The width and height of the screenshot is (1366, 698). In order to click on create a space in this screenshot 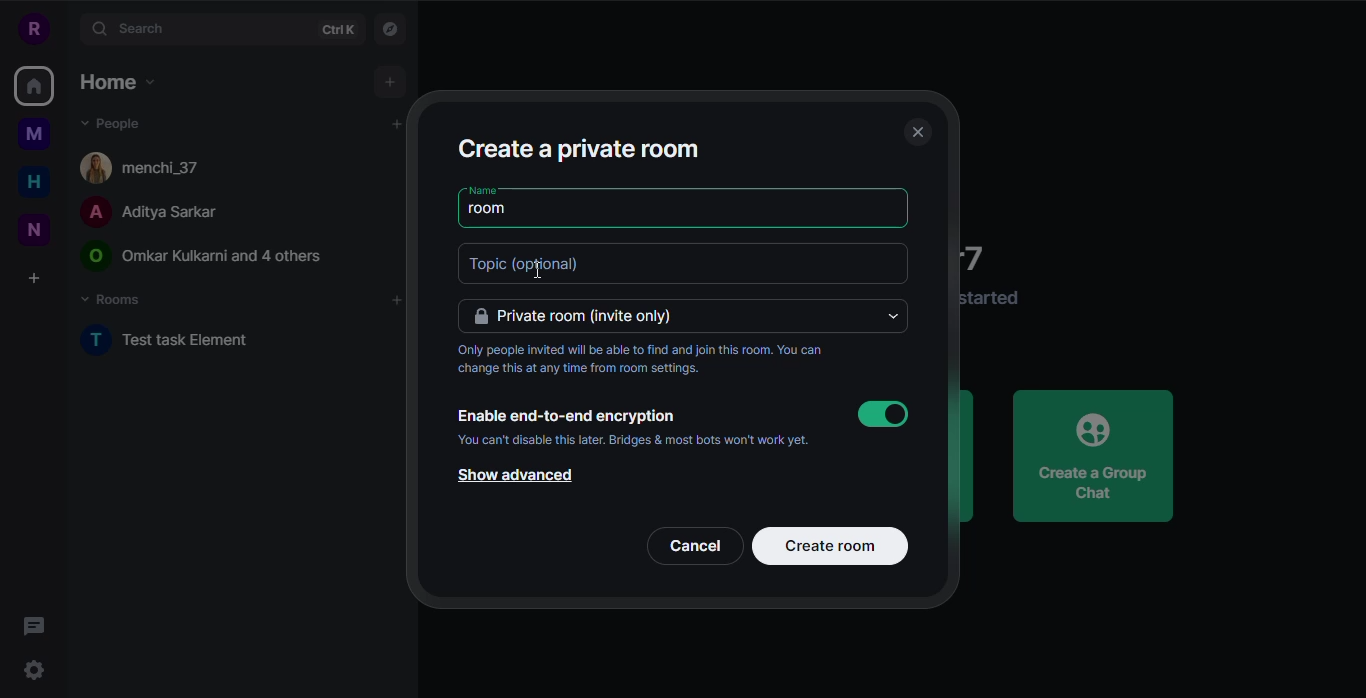, I will do `click(34, 278)`.